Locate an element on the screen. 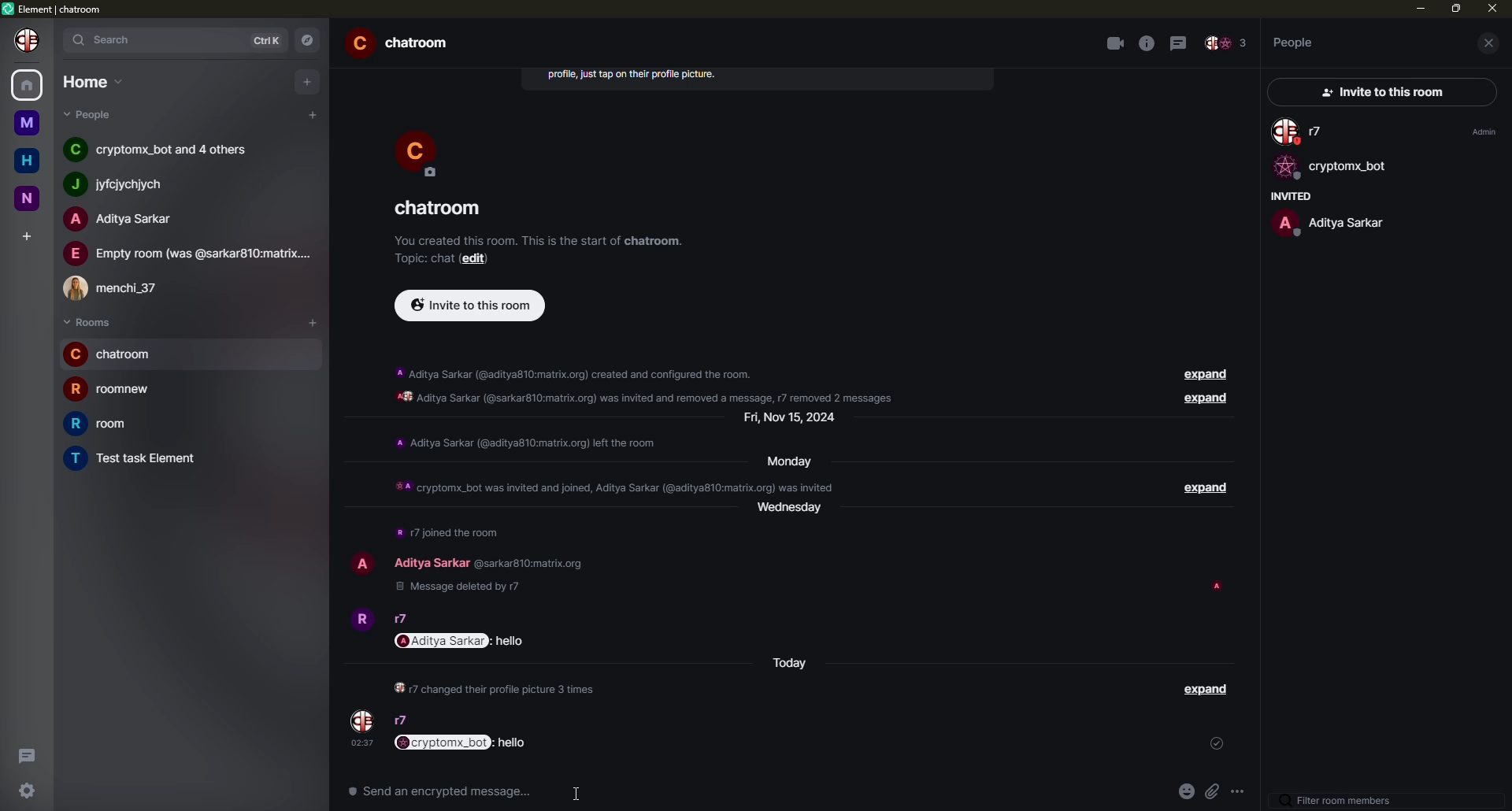 This screenshot has width=1512, height=811. people is located at coordinates (161, 147).